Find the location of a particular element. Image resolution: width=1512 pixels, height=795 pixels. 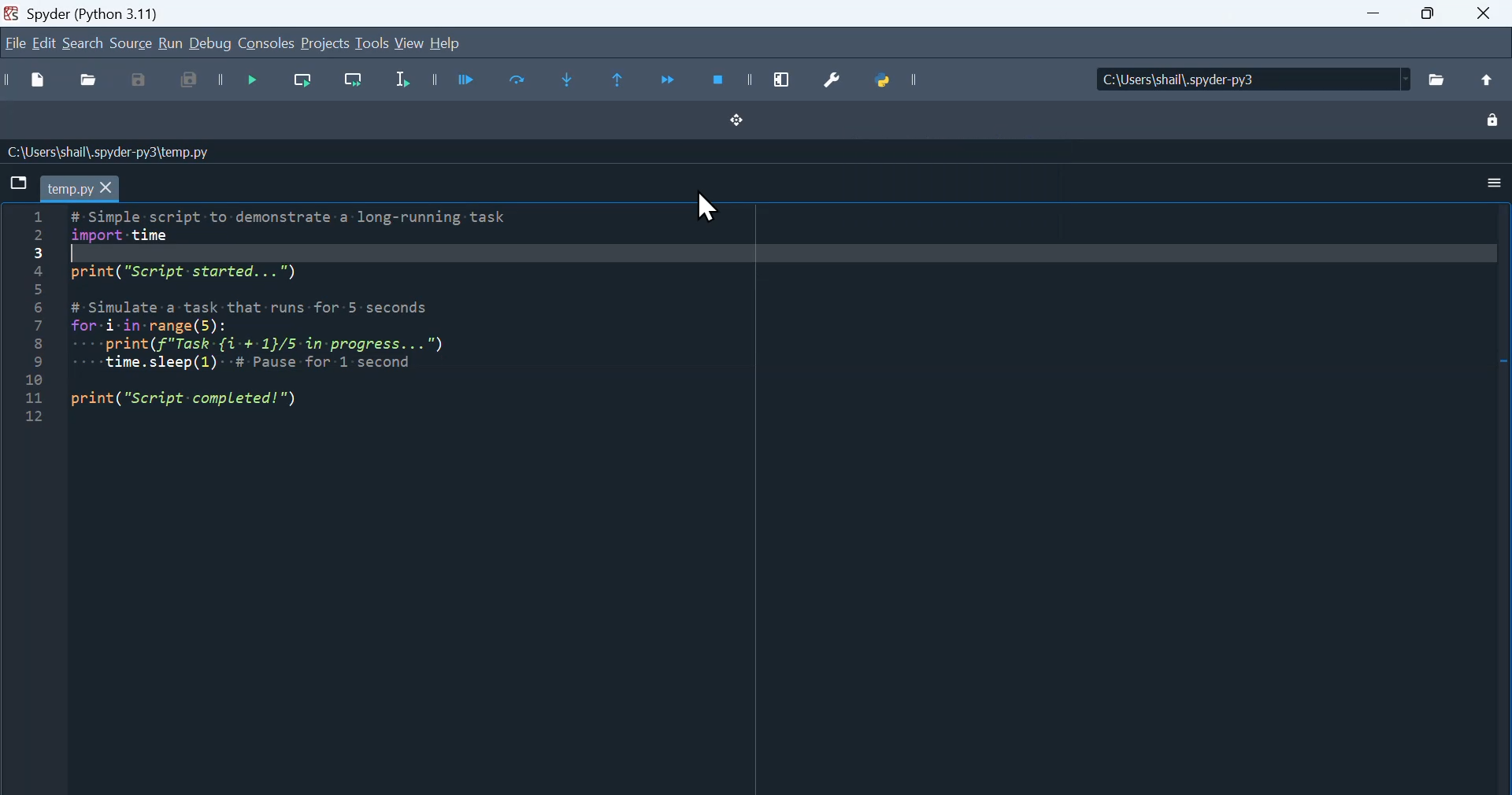

 is located at coordinates (1424, 17).